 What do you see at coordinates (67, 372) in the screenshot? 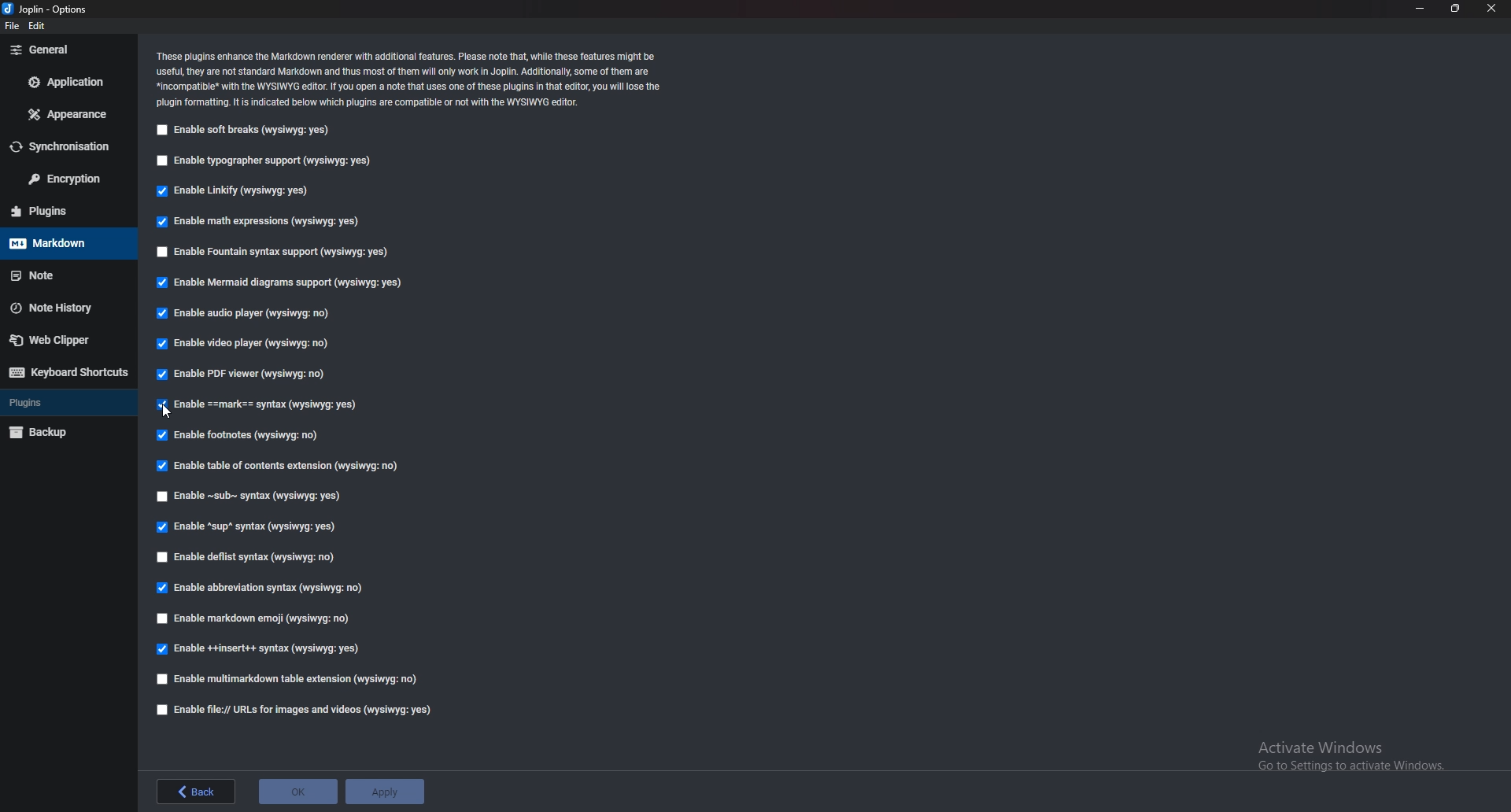
I see `Keyboard shortcuts` at bounding box center [67, 372].